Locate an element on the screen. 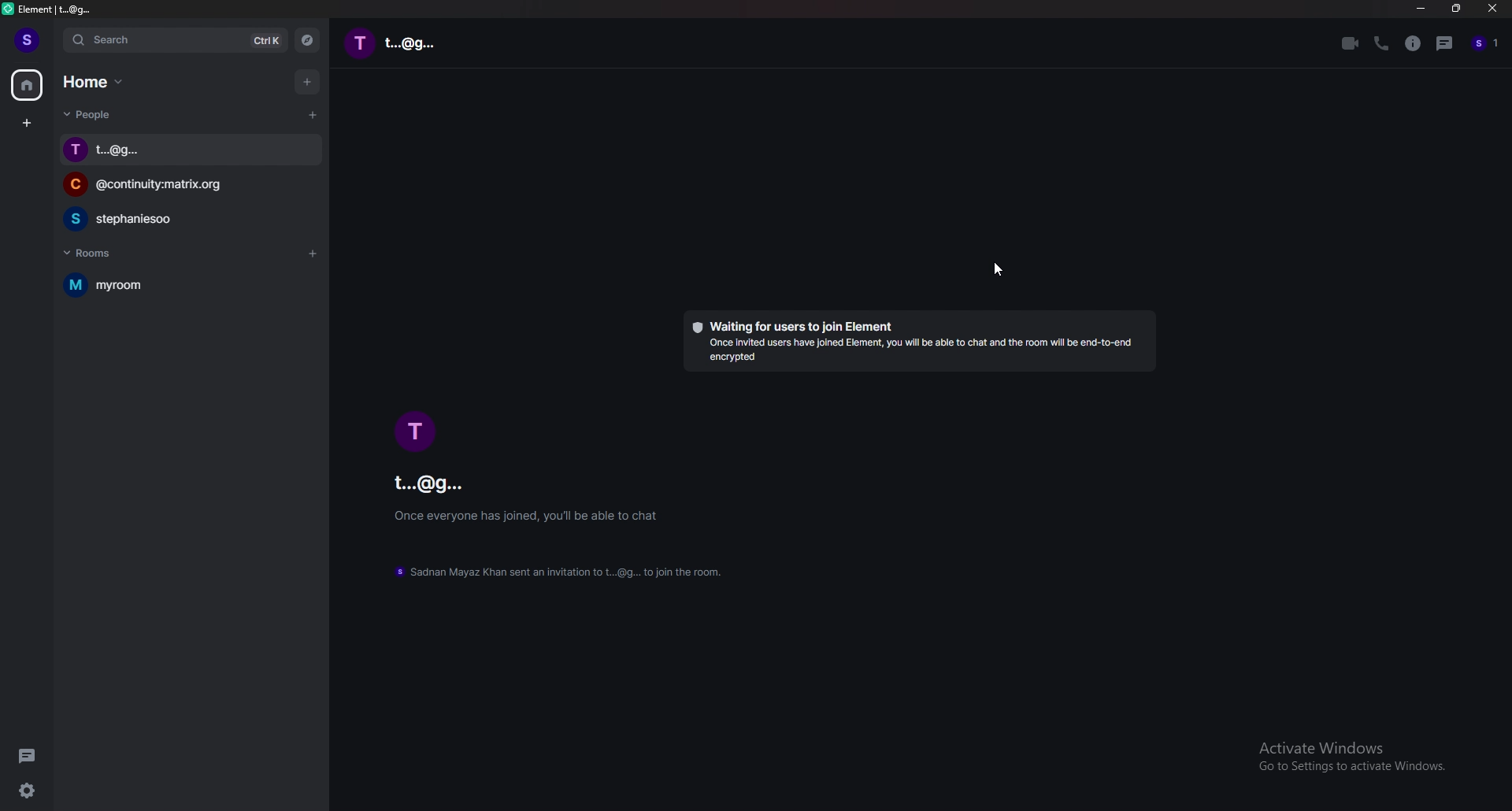  explore rooms is located at coordinates (308, 40).